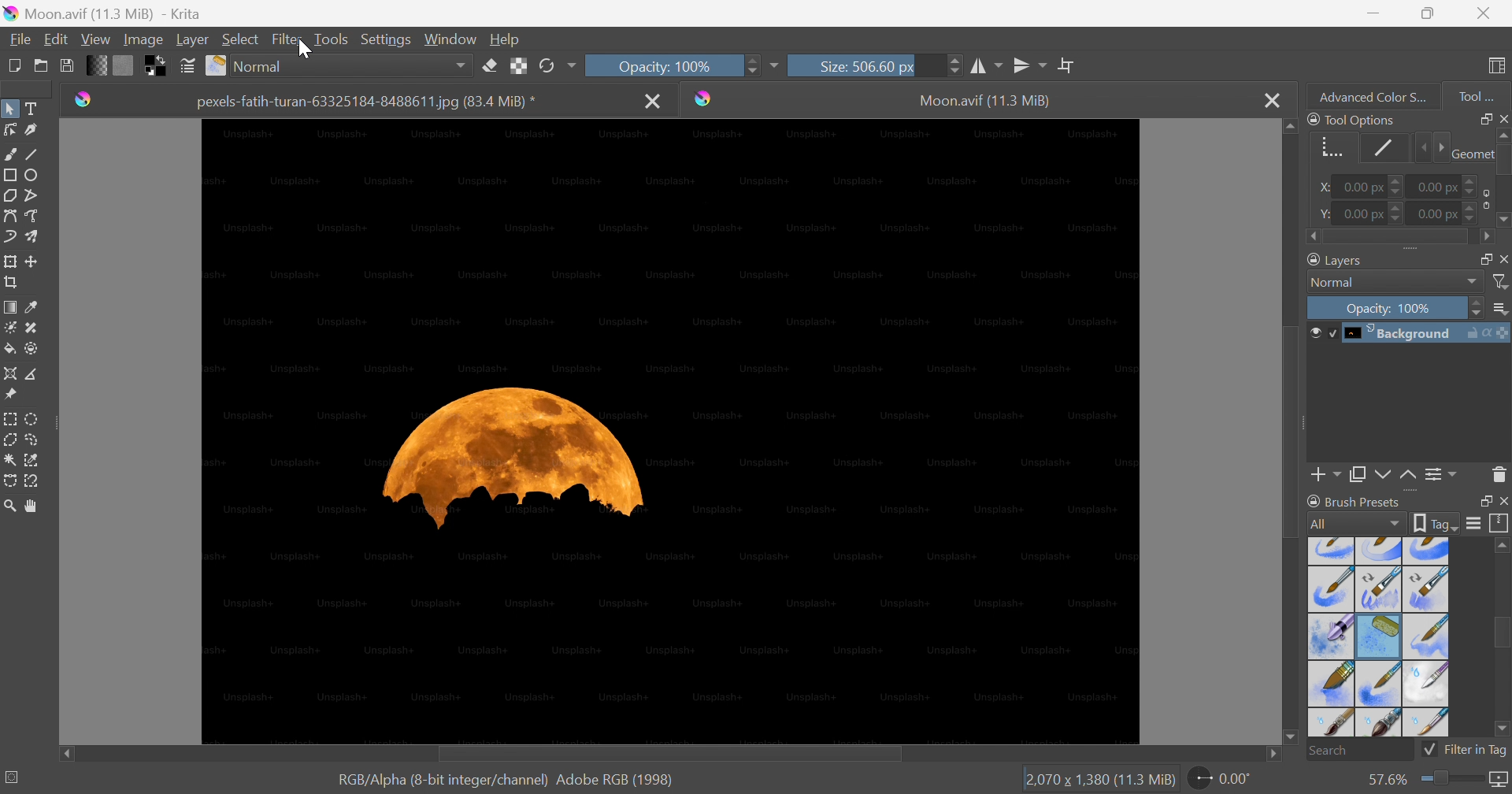  What do you see at coordinates (654, 102) in the screenshot?
I see `Close` at bounding box center [654, 102].